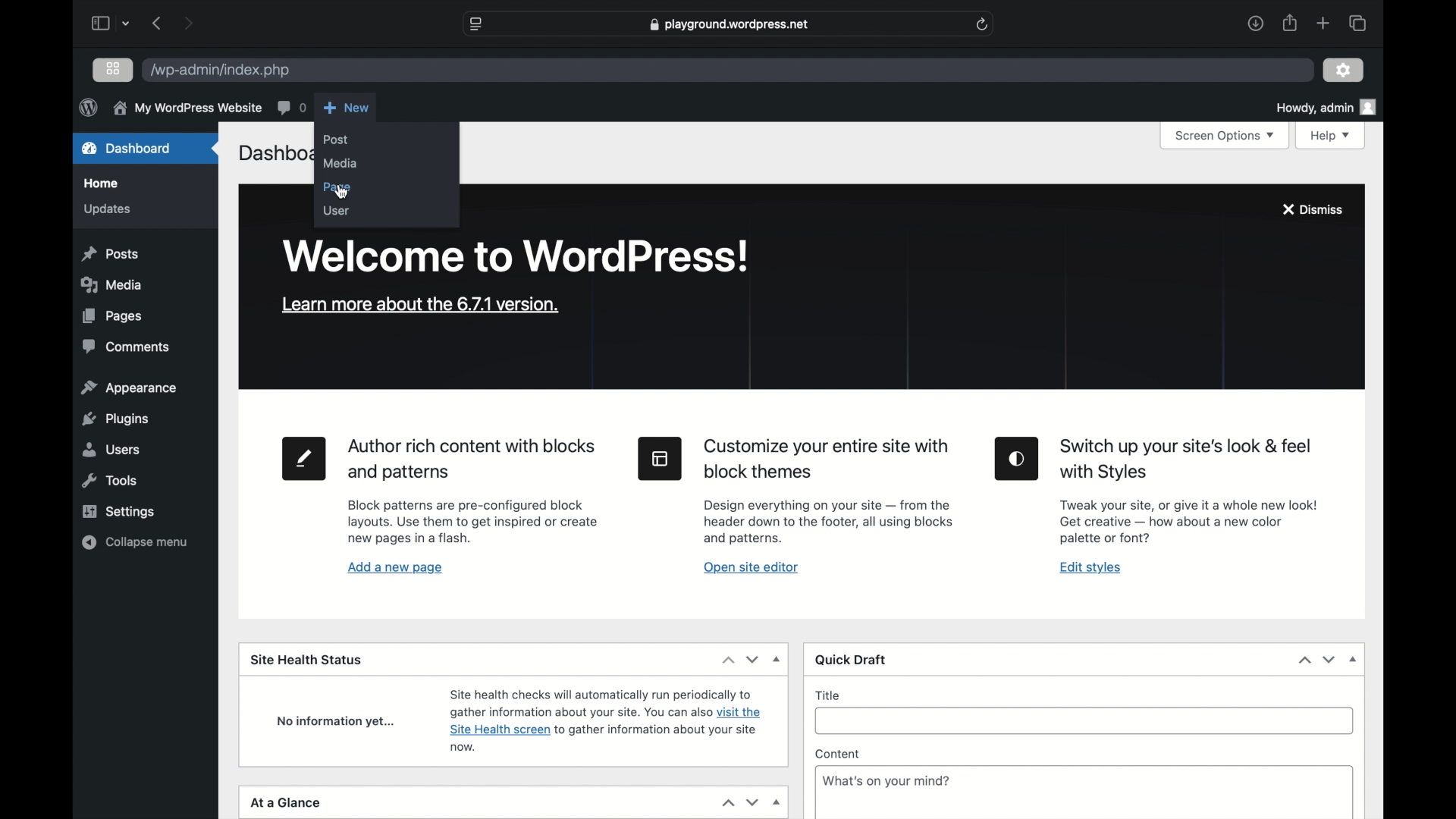  Describe the element at coordinates (1228, 136) in the screenshot. I see `screen options` at that location.